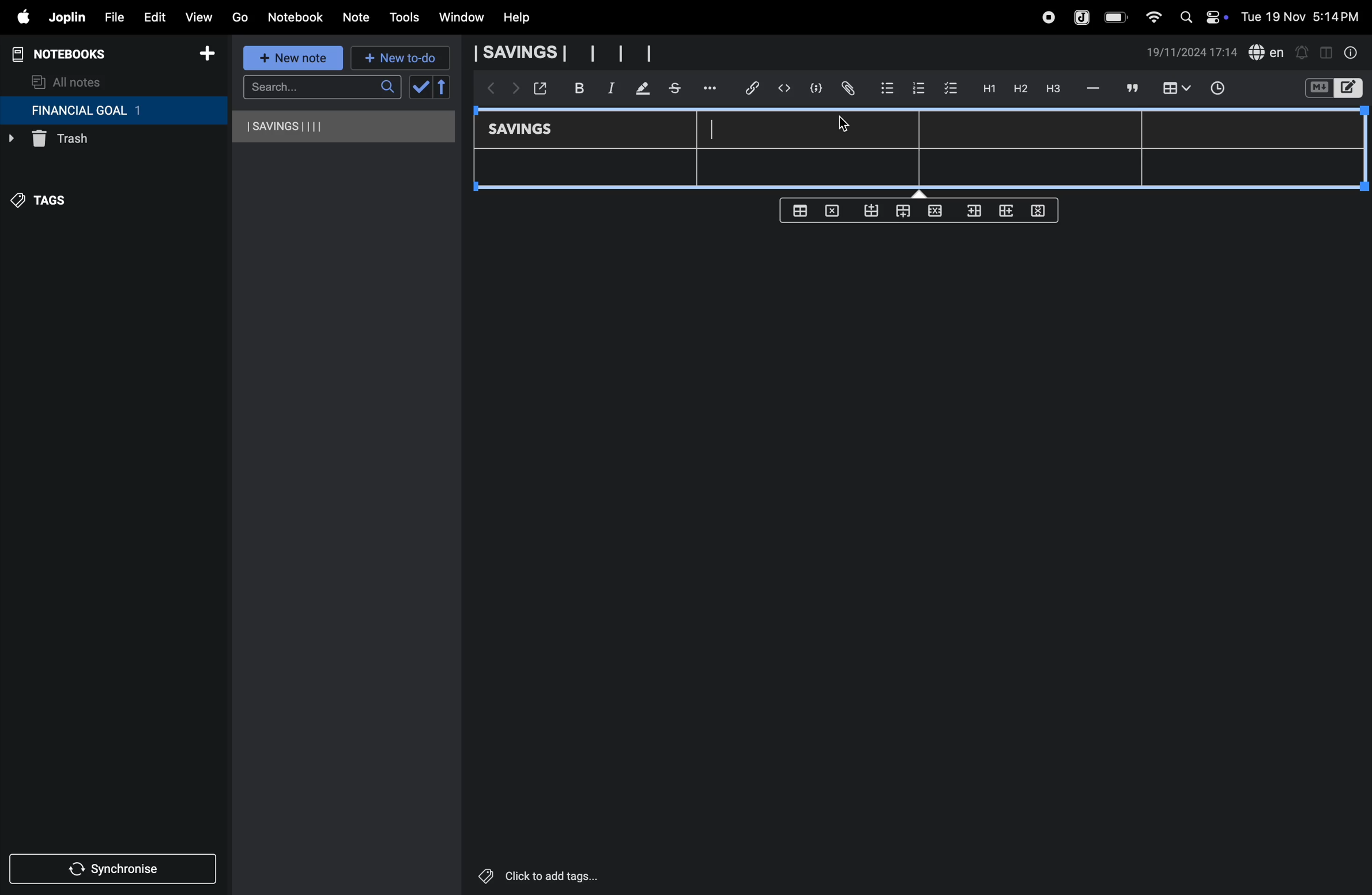 Image resolution: width=1372 pixels, height=895 pixels. What do you see at coordinates (539, 88) in the screenshot?
I see `open window` at bounding box center [539, 88].